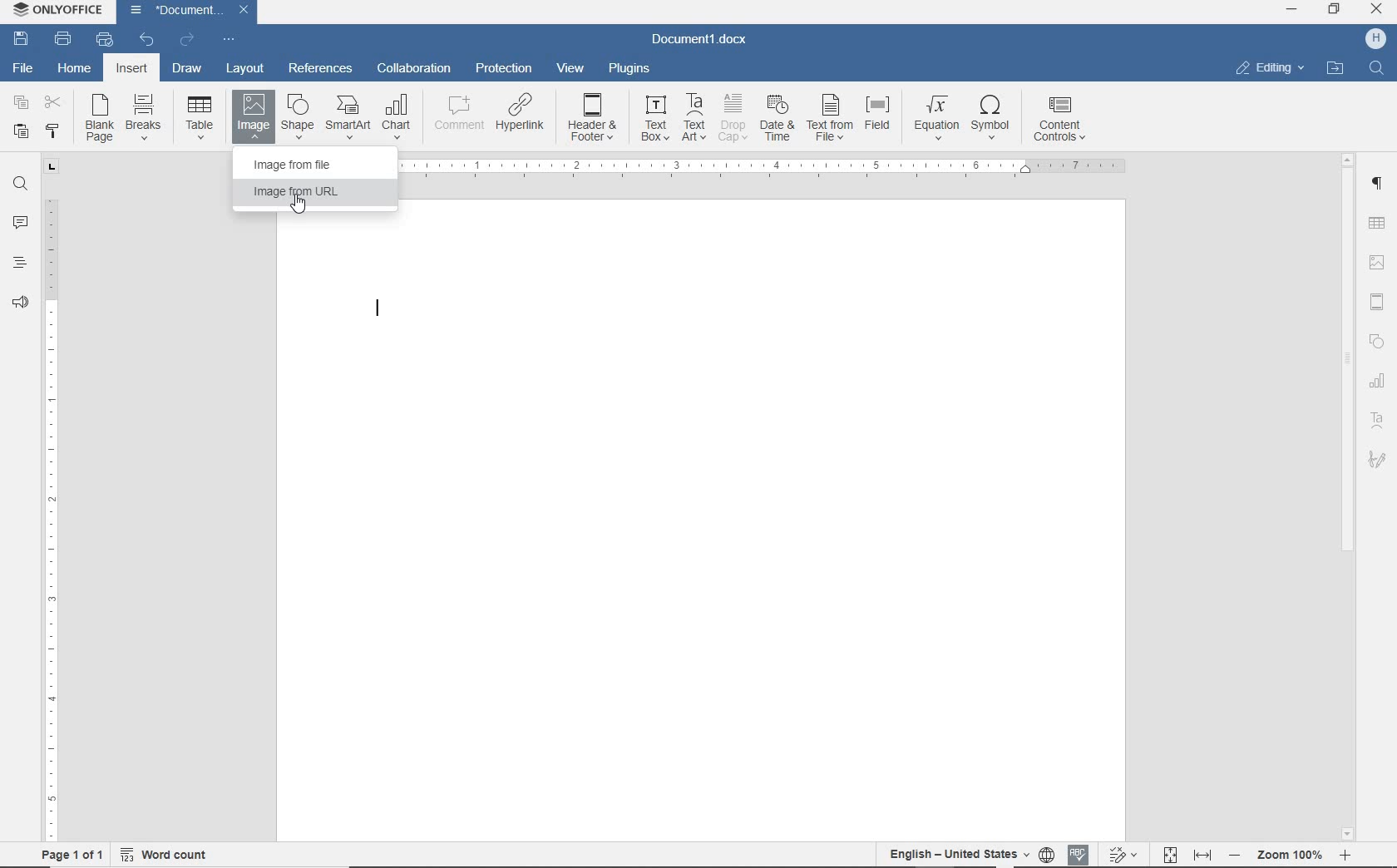 The image size is (1397, 868). What do you see at coordinates (652, 120) in the screenshot?
I see `text box` at bounding box center [652, 120].